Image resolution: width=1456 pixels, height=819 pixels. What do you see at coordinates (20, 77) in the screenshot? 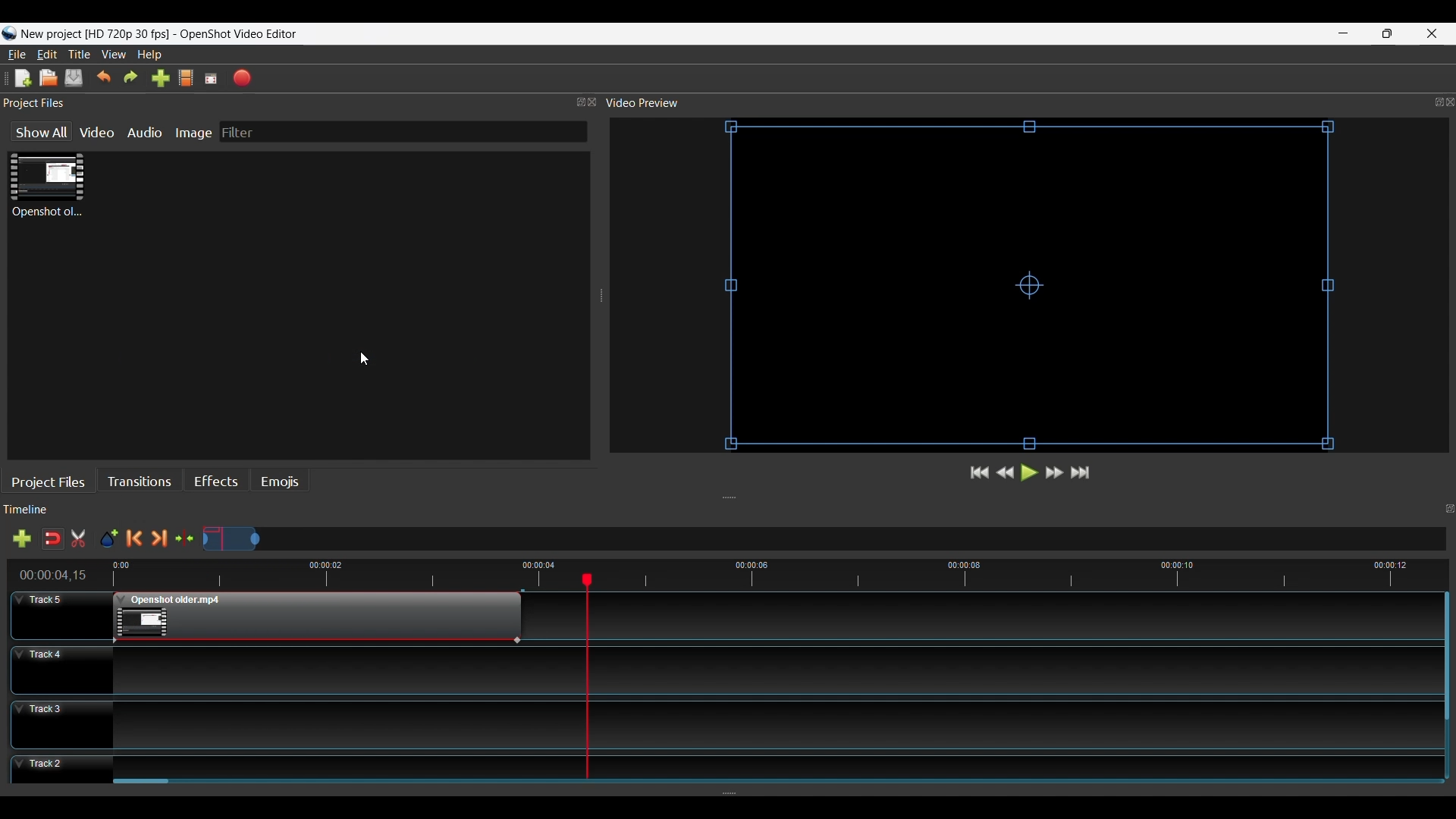
I see `New File` at bounding box center [20, 77].